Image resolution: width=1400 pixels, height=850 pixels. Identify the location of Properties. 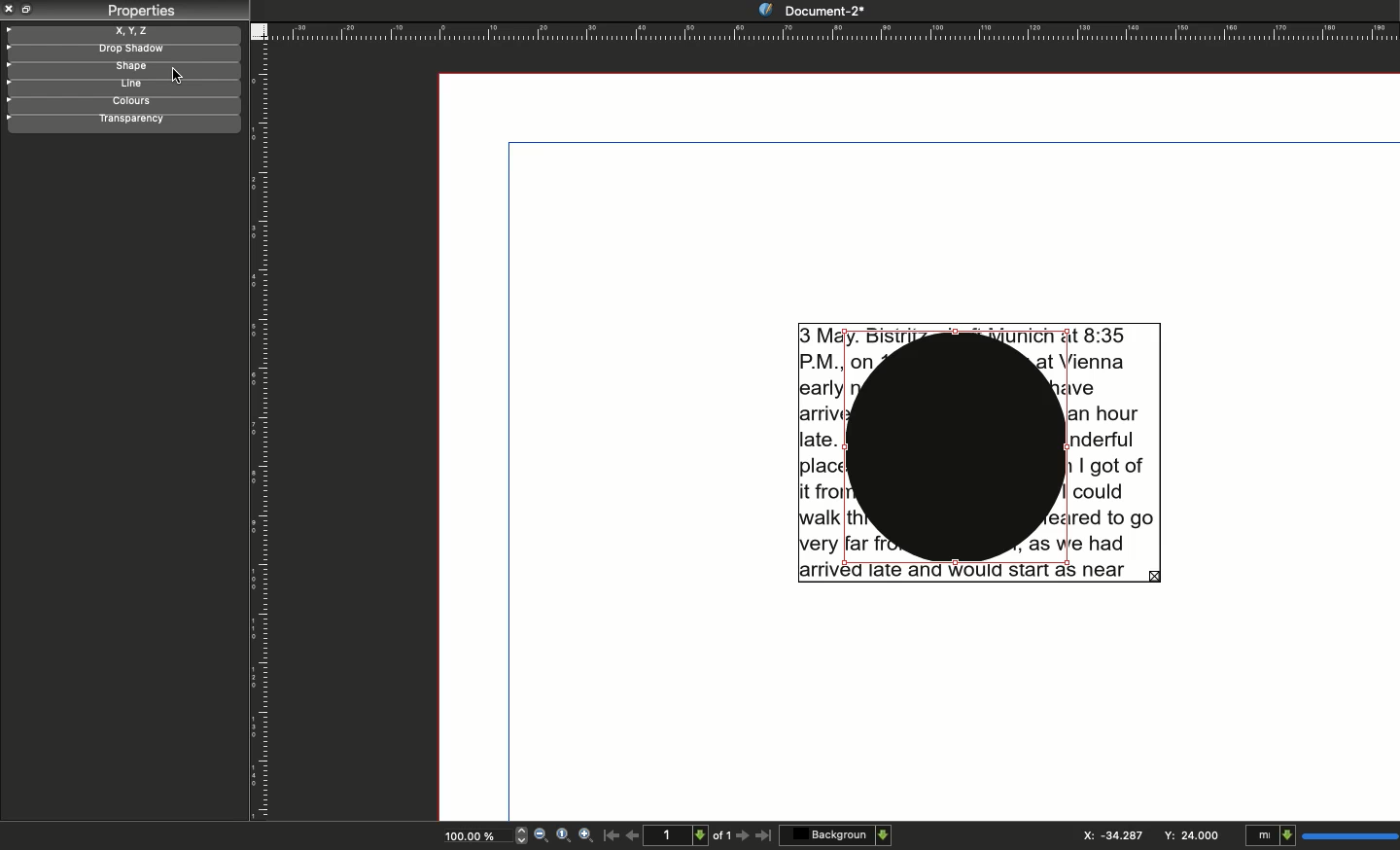
(137, 12).